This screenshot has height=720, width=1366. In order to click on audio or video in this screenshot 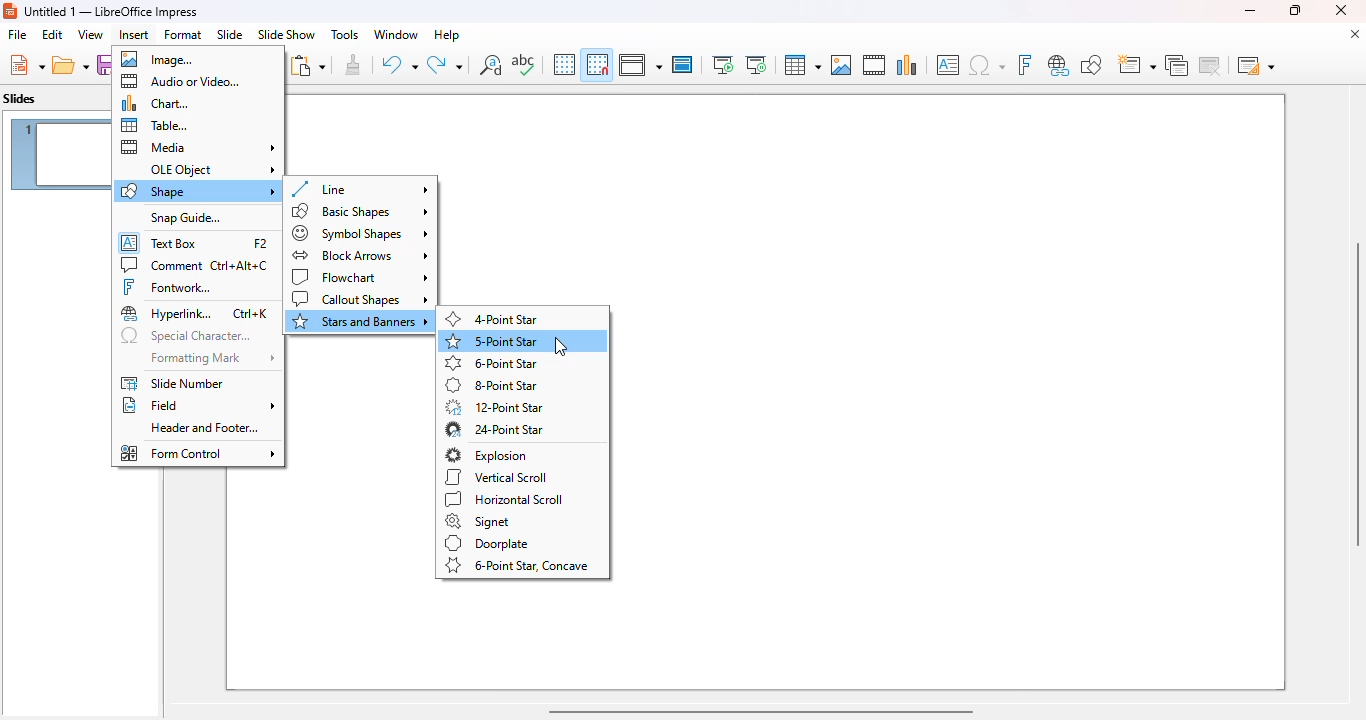, I will do `click(181, 81)`.